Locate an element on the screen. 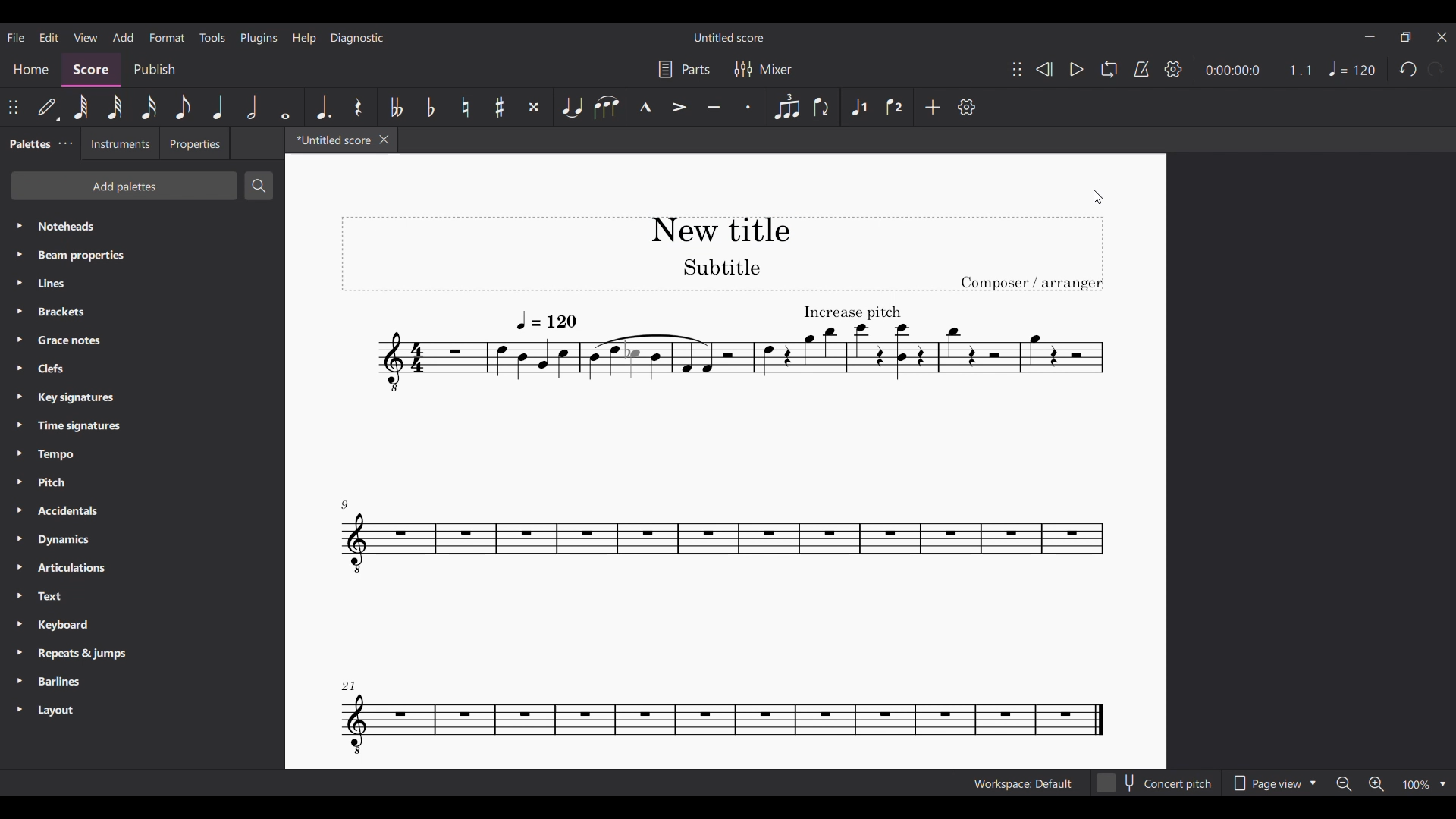 This screenshot has width=1456, height=819. Add is located at coordinates (933, 106).